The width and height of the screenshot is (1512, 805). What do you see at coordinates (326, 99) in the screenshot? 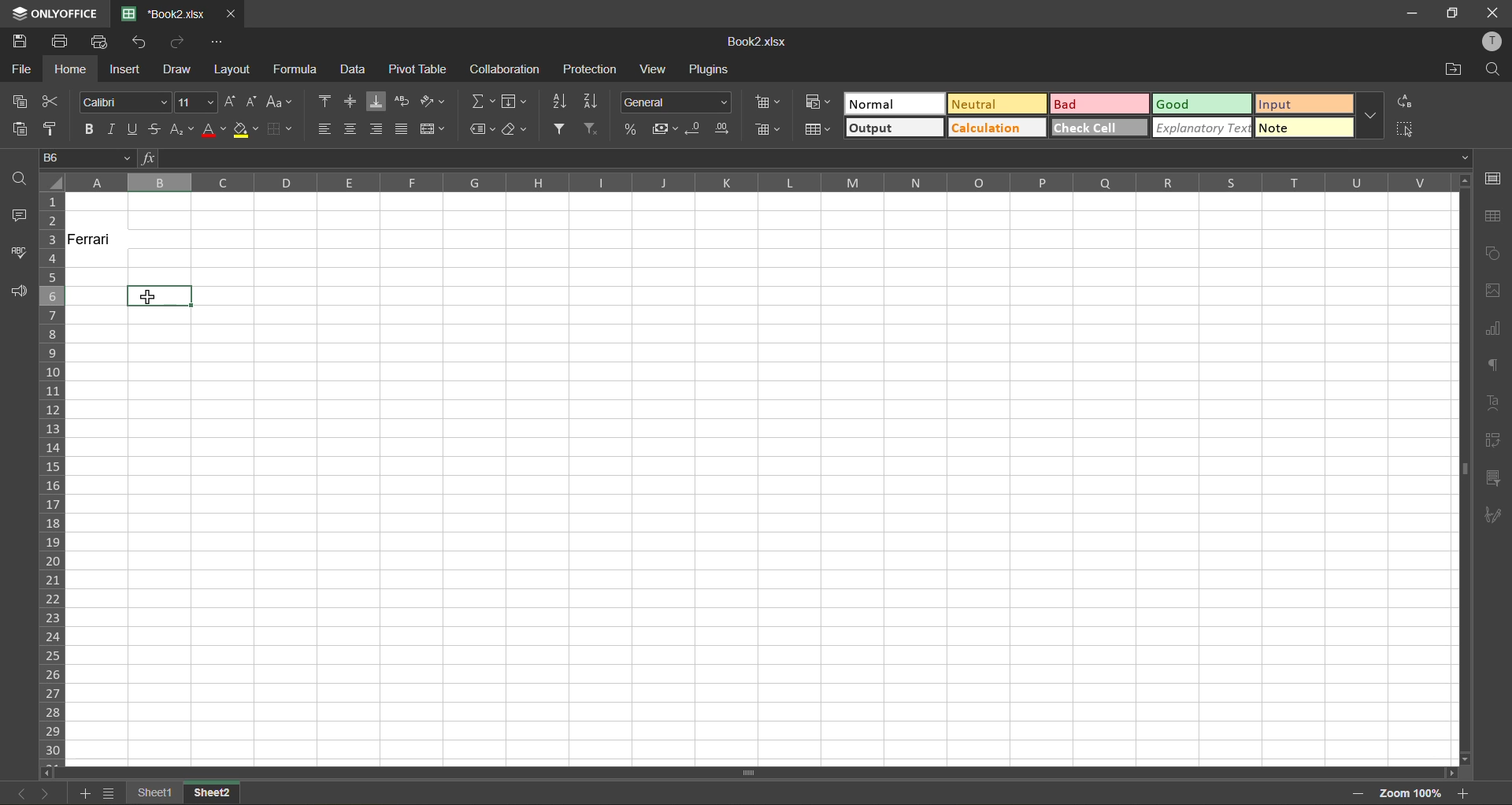
I see `align top` at bounding box center [326, 99].